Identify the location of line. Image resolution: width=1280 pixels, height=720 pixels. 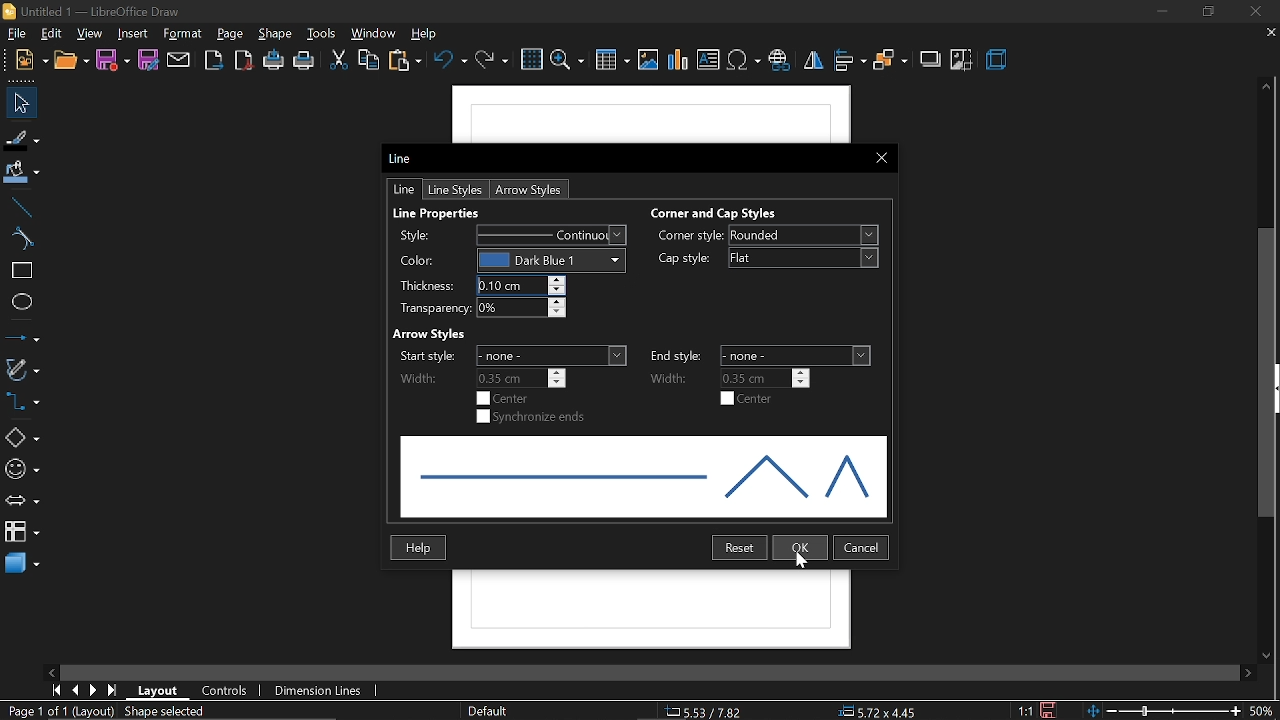
(22, 208).